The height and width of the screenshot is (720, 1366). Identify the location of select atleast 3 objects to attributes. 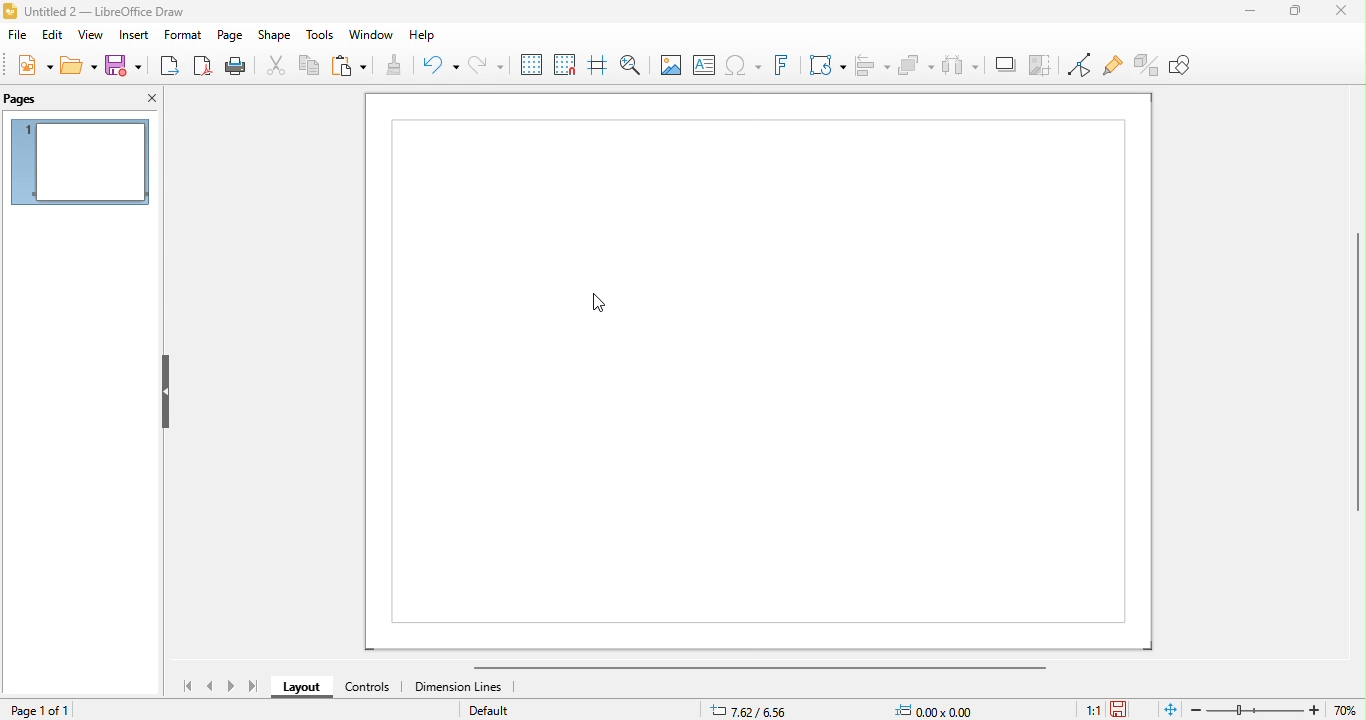
(960, 66).